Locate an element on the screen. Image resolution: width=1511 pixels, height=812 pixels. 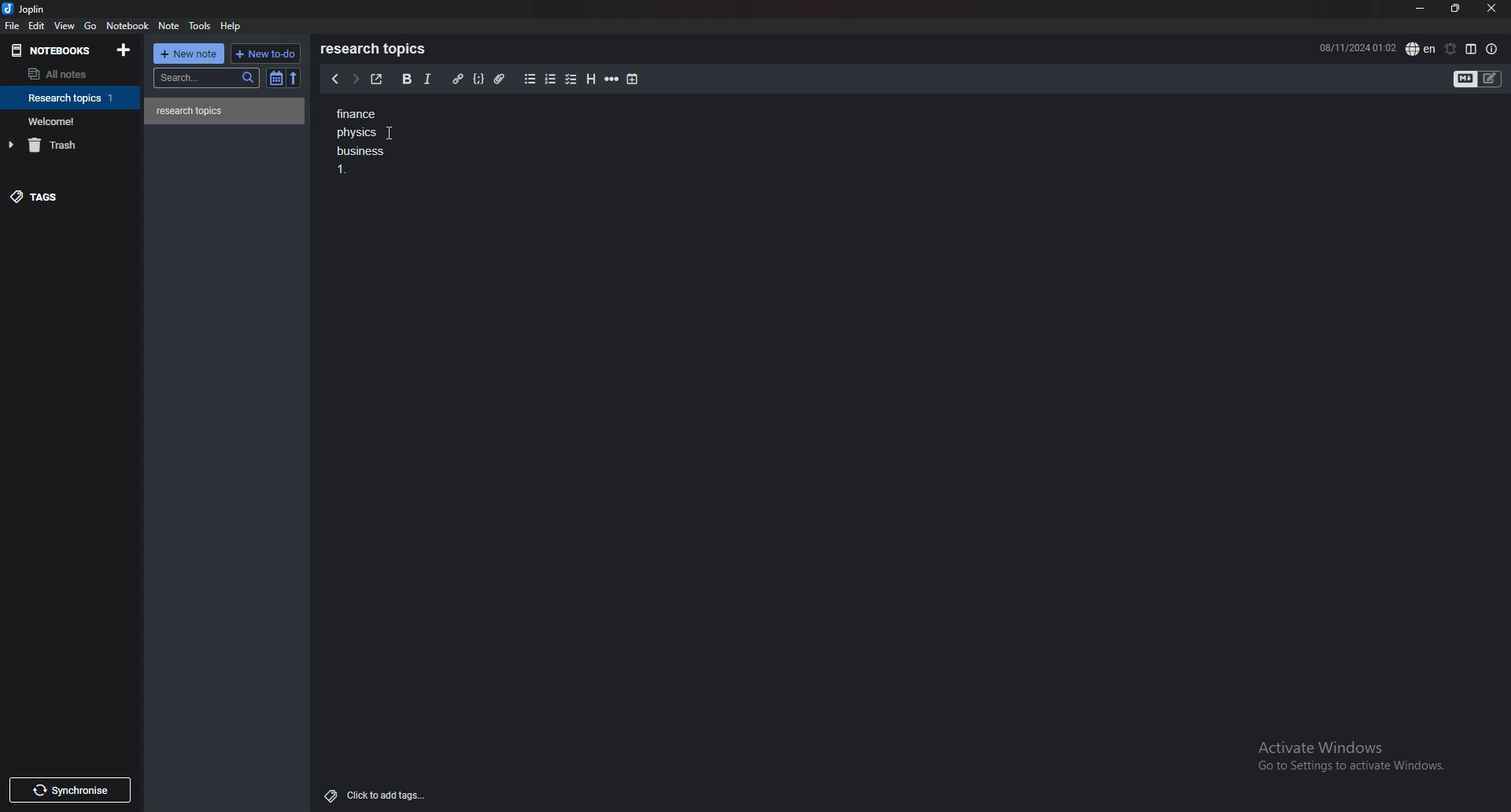
reverse sort order is located at coordinates (293, 78).